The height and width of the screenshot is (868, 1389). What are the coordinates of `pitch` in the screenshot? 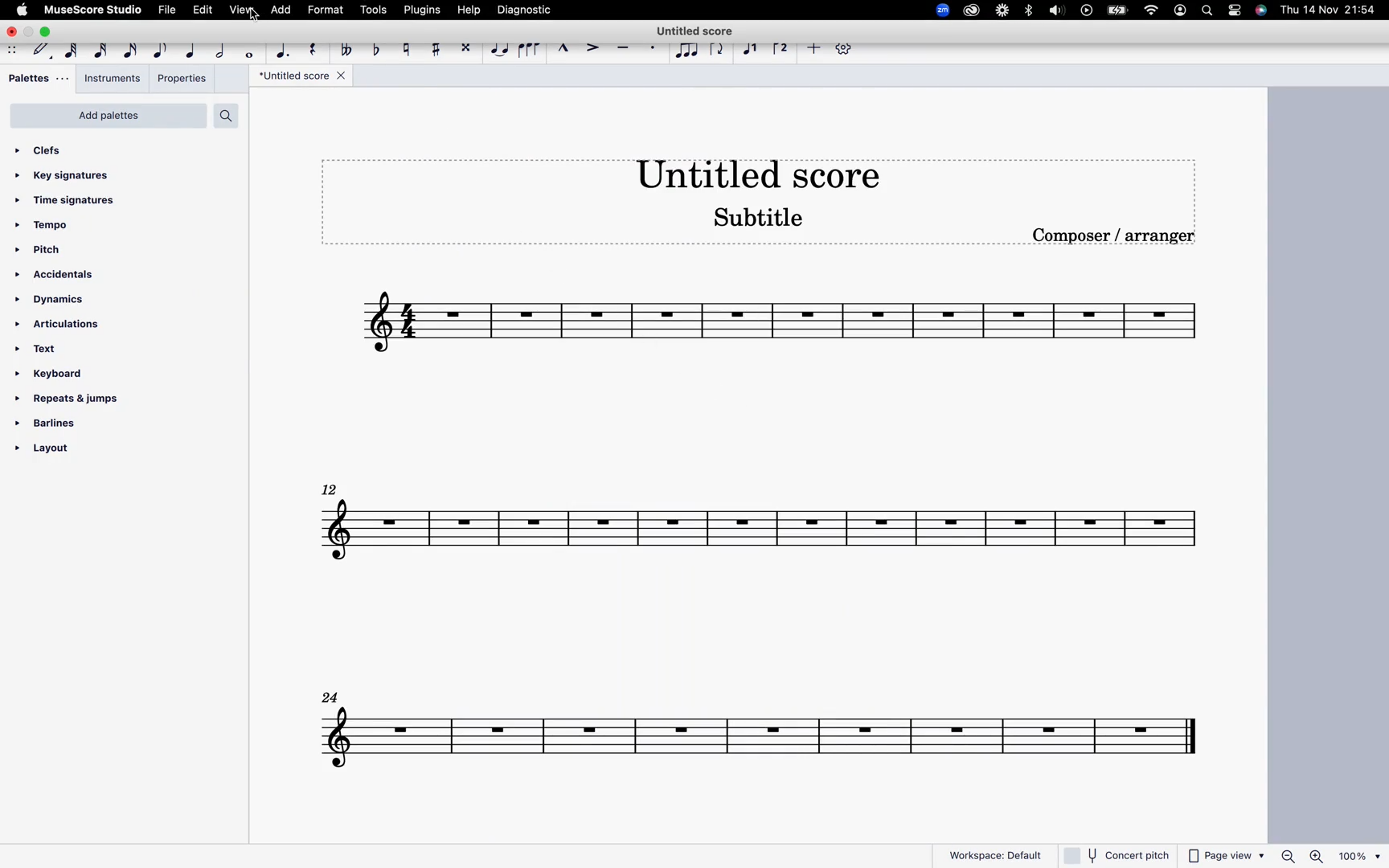 It's located at (51, 251).